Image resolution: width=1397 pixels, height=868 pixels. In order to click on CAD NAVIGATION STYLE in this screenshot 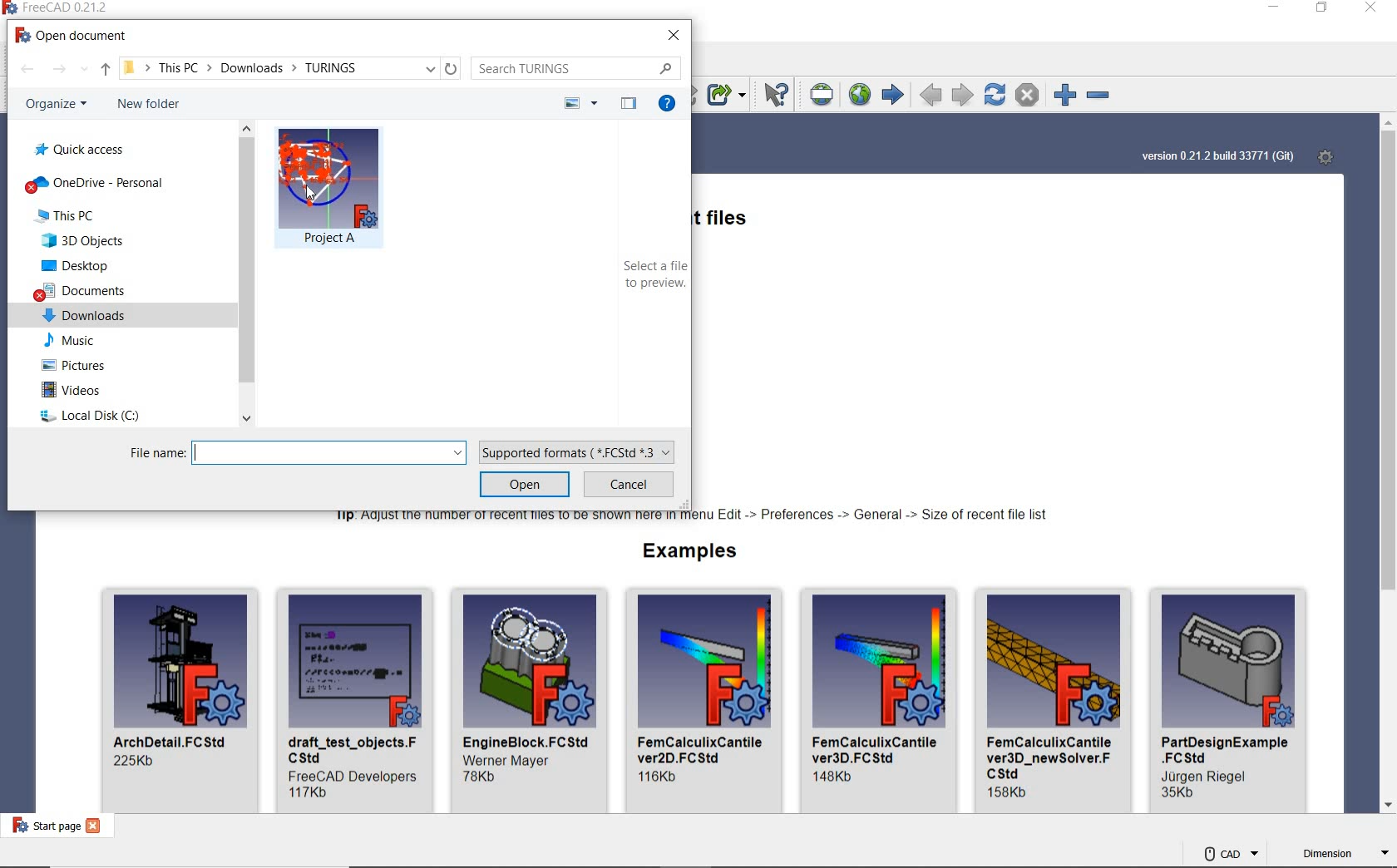, I will do `click(1230, 853)`.